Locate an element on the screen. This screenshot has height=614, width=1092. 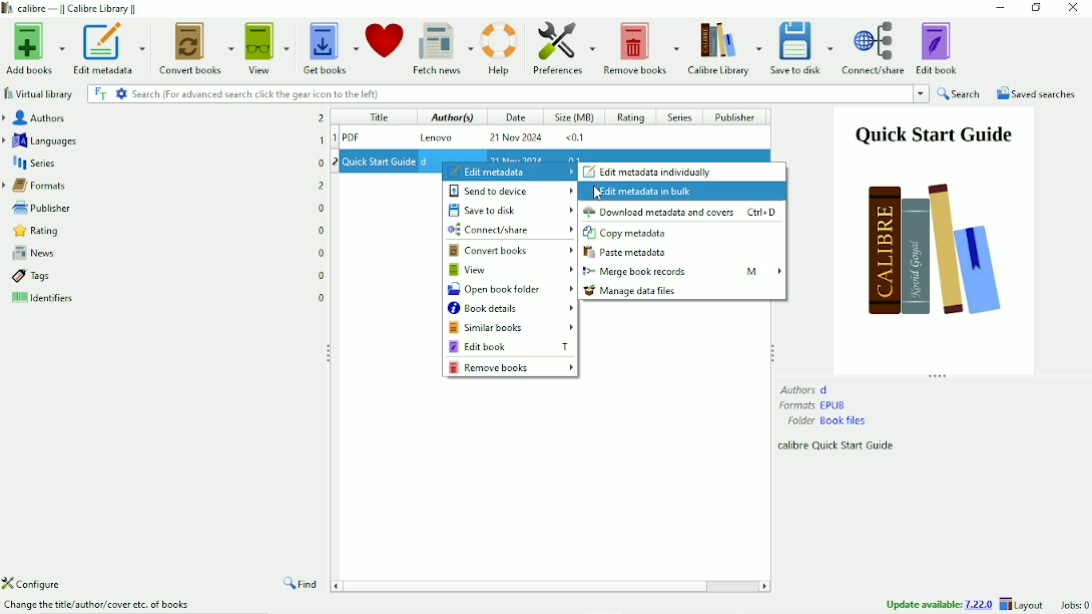
Download metadata and covers is located at coordinates (682, 212).